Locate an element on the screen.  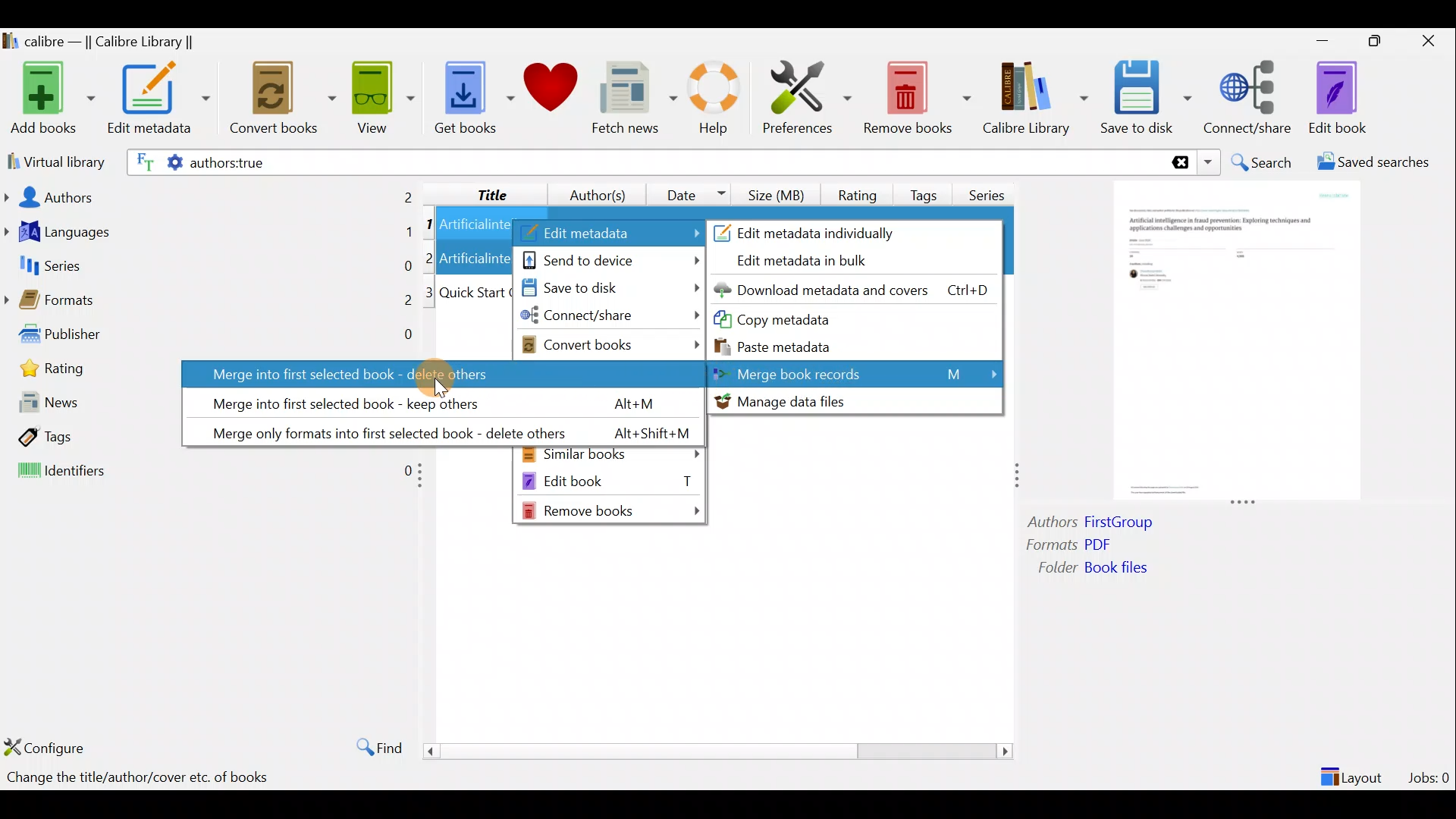
Copy metadata is located at coordinates (803, 318).